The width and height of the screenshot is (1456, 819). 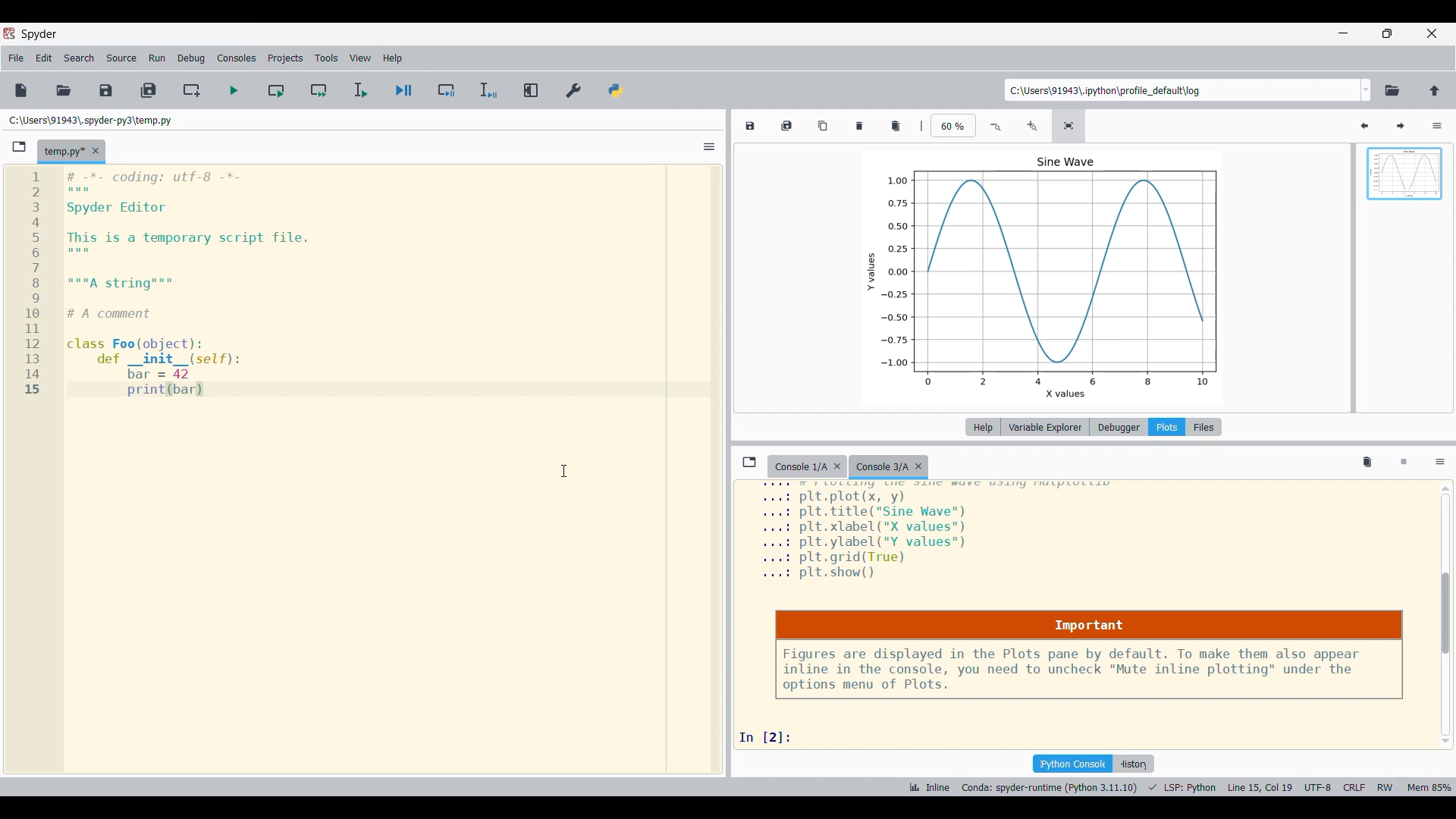 I want to click on Variable explorer, so click(x=1046, y=427).